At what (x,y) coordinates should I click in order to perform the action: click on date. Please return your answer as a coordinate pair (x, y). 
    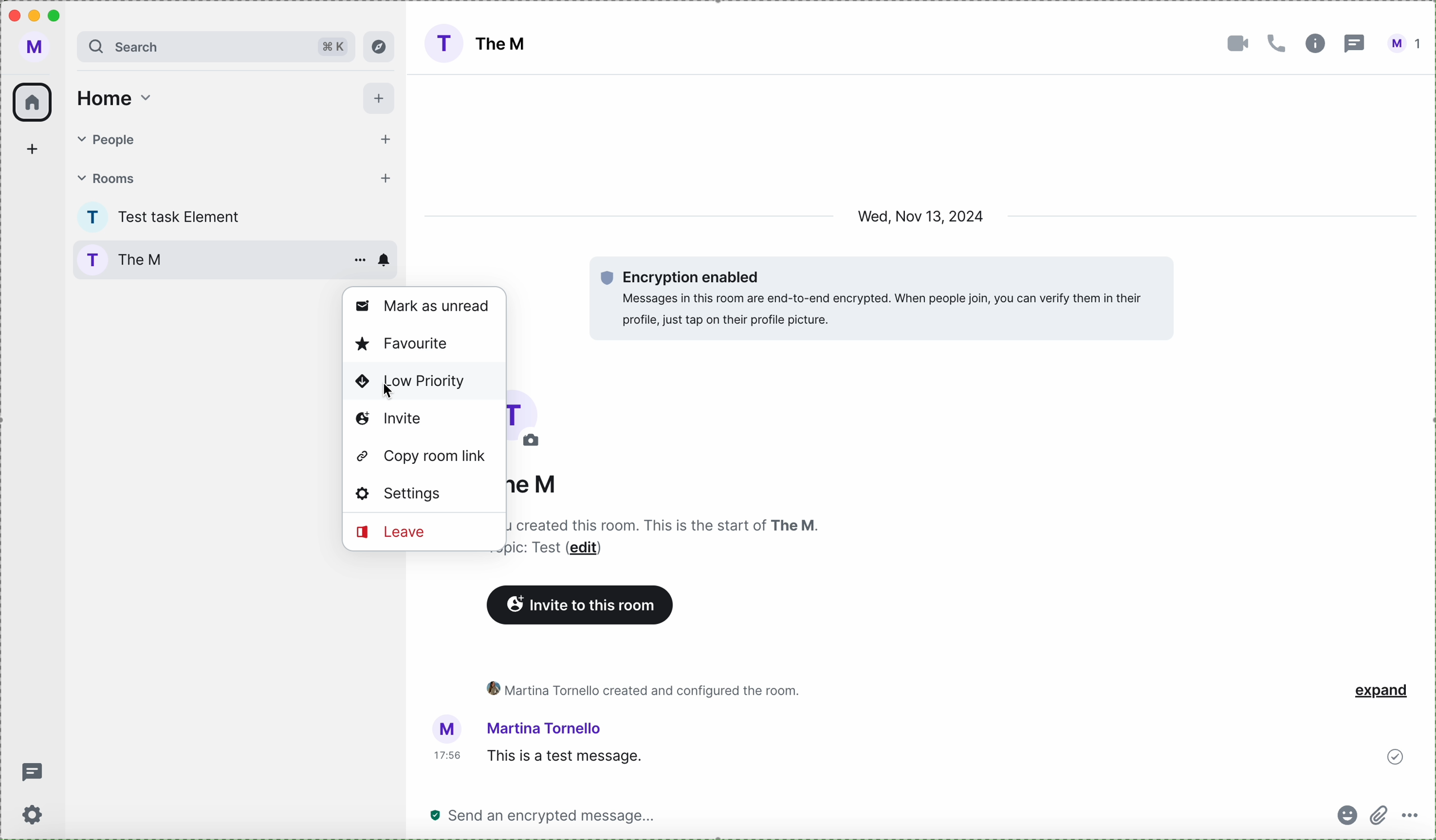
    Looking at the image, I should click on (923, 215).